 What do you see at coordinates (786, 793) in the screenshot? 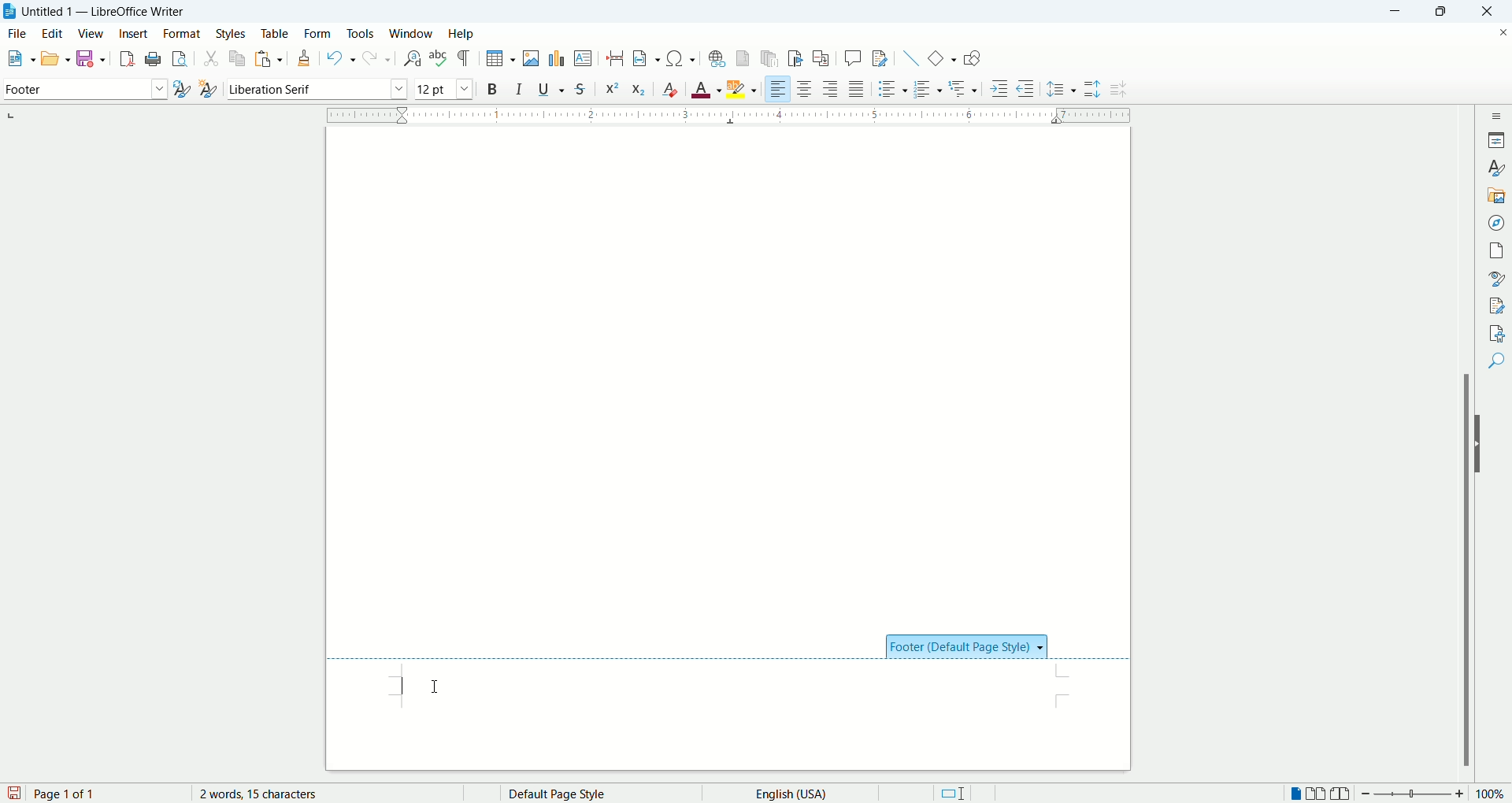
I see `text language` at bounding box center [786, 793].